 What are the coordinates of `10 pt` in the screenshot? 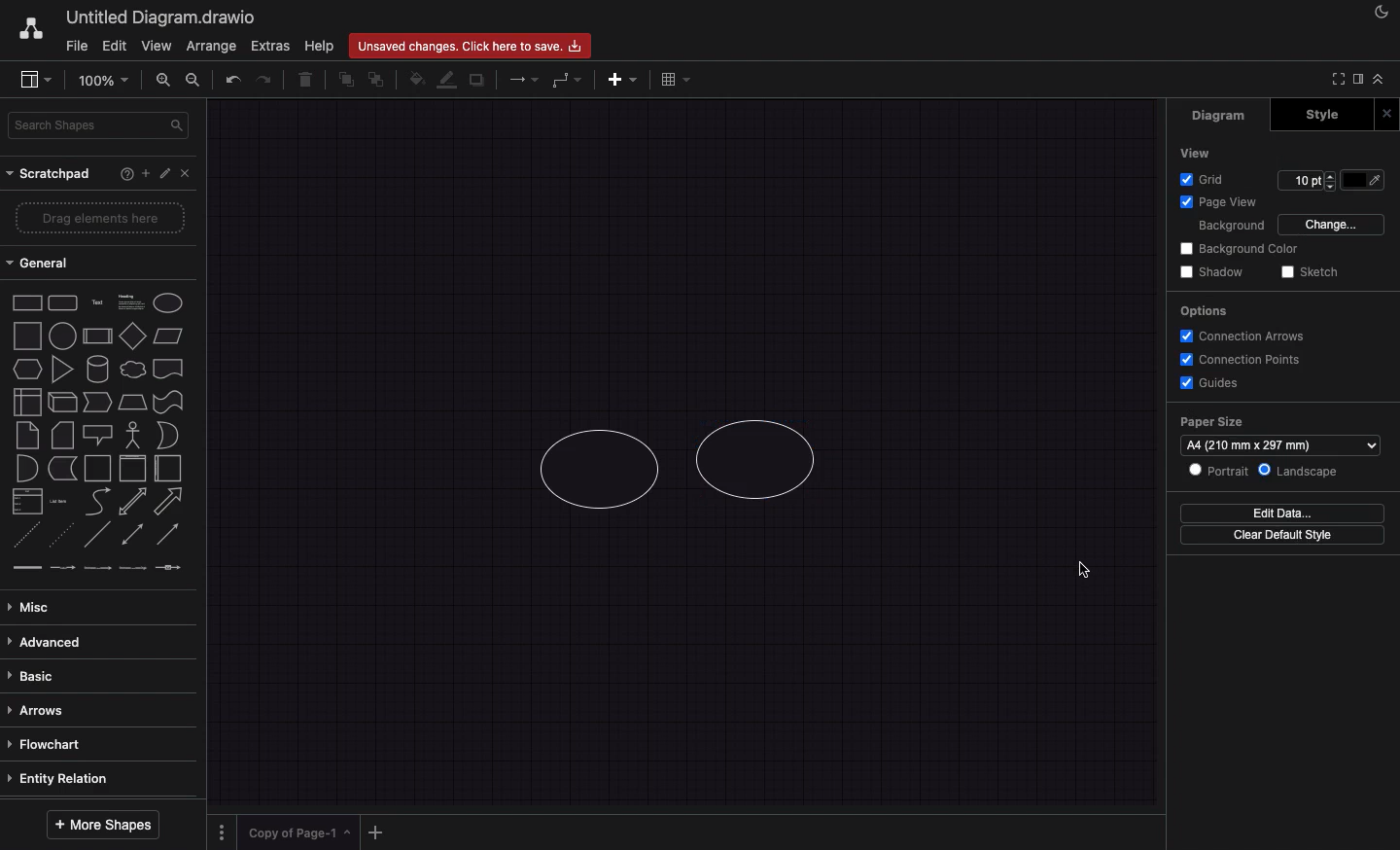 It's located at (1308, 181).